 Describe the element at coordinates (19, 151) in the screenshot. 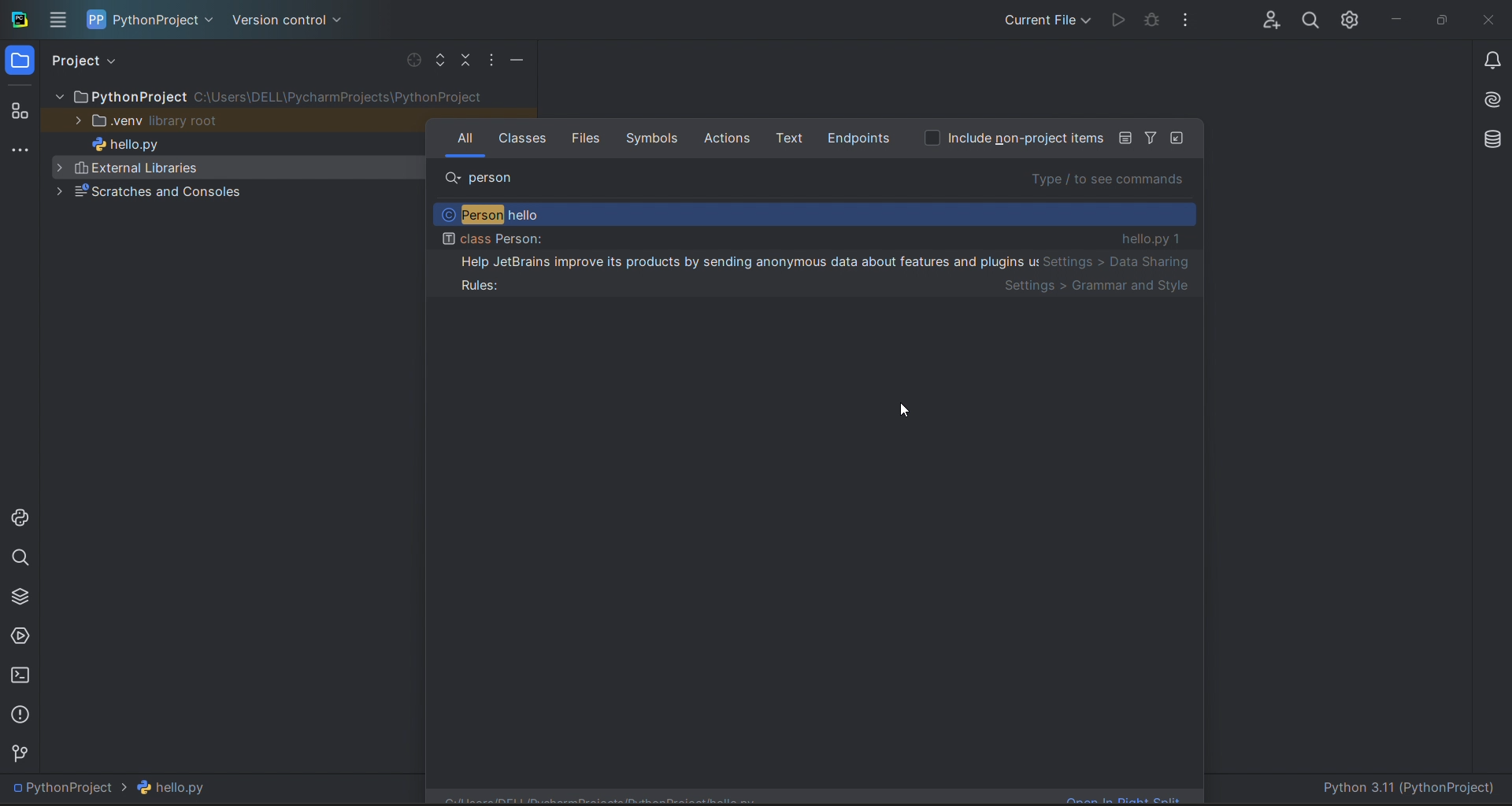

I see `more tools window` at that location.